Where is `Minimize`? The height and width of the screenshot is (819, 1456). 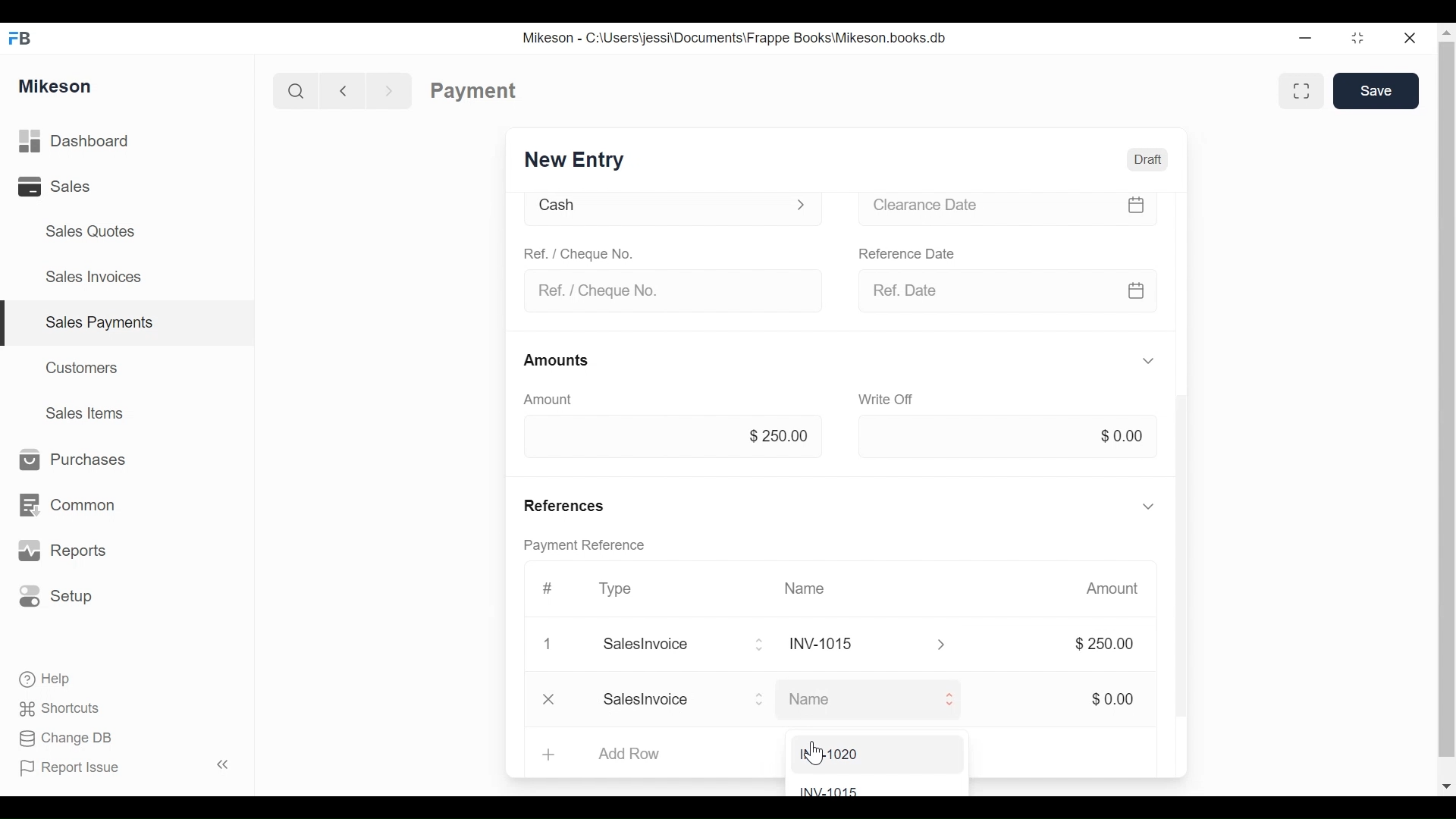
Minimize is located at coordinates (1308, 38).